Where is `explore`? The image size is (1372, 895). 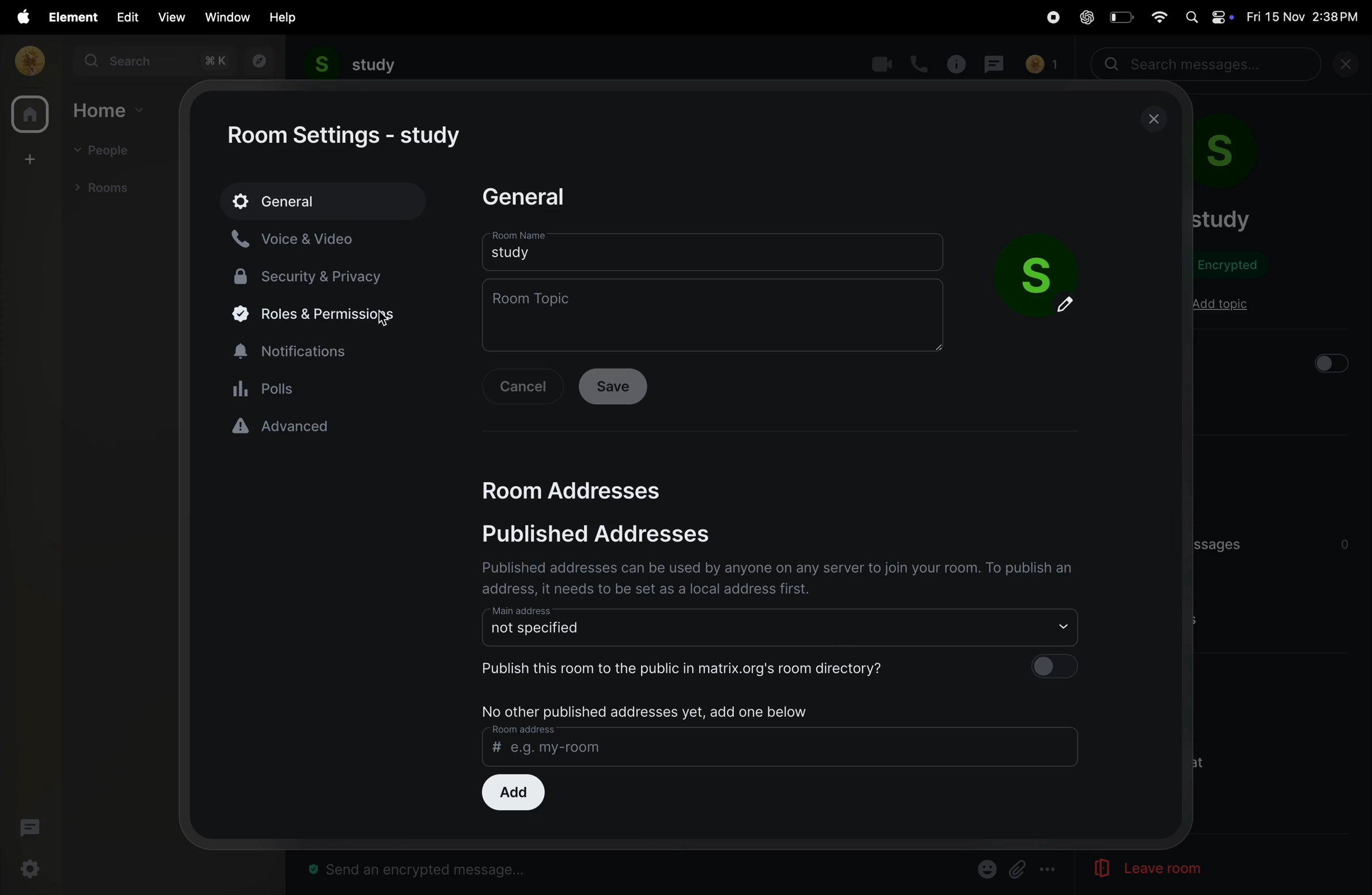
explore is located at coordinates (257, 61).